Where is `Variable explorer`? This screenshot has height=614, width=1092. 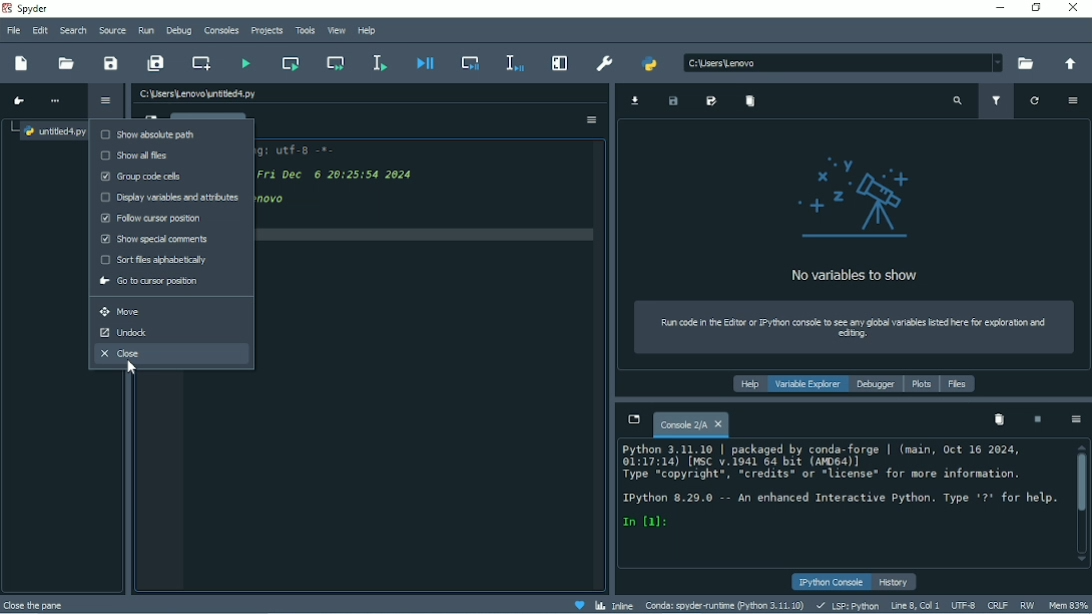 Variable explorer is located at coordinates (808, 385).